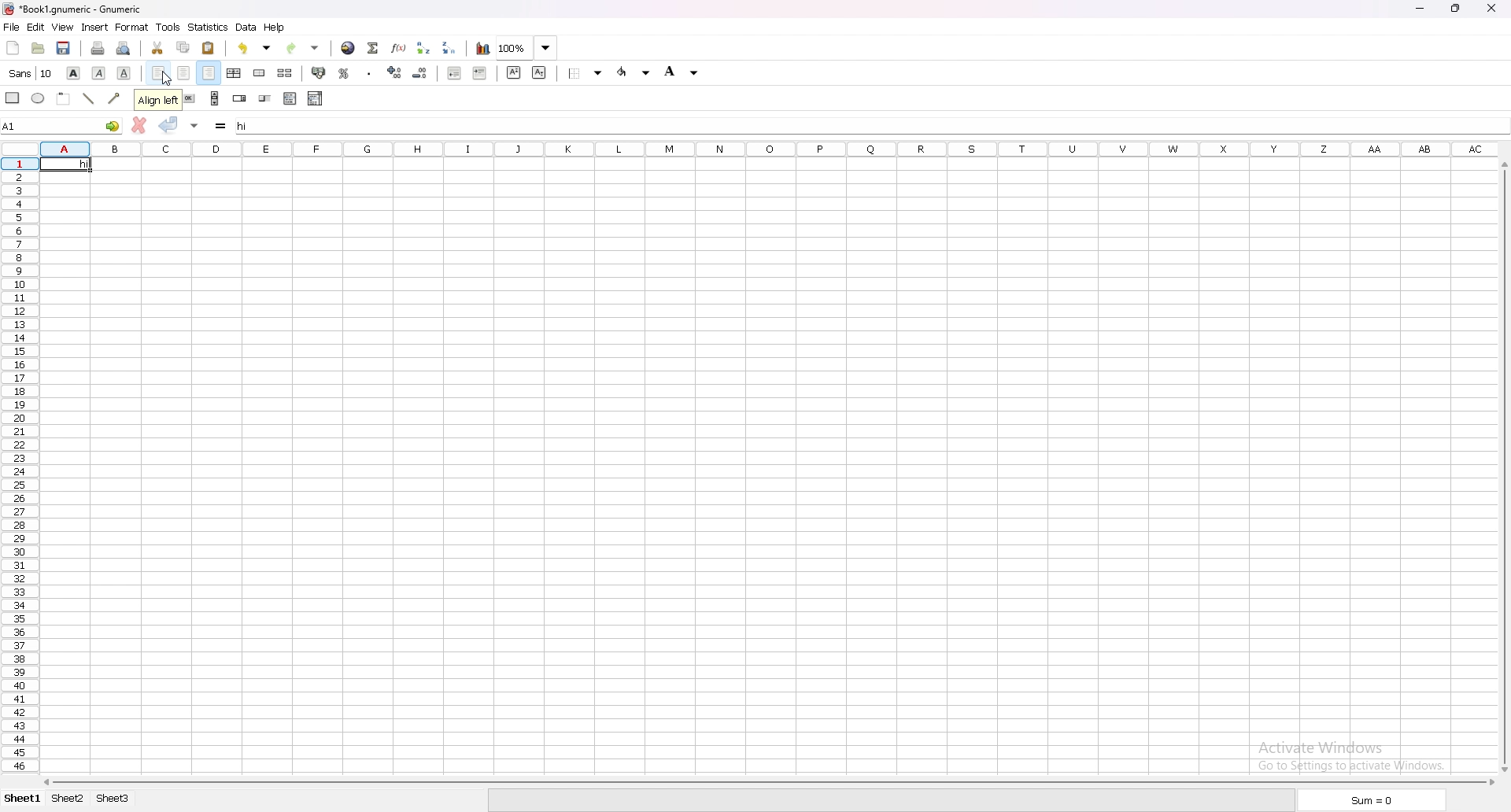 The width and height of the screenshot is (1511, 812). What do you see at coordinates (512, 72) in the screenshot?
I see `superscript` at bounding box center [512, 72].